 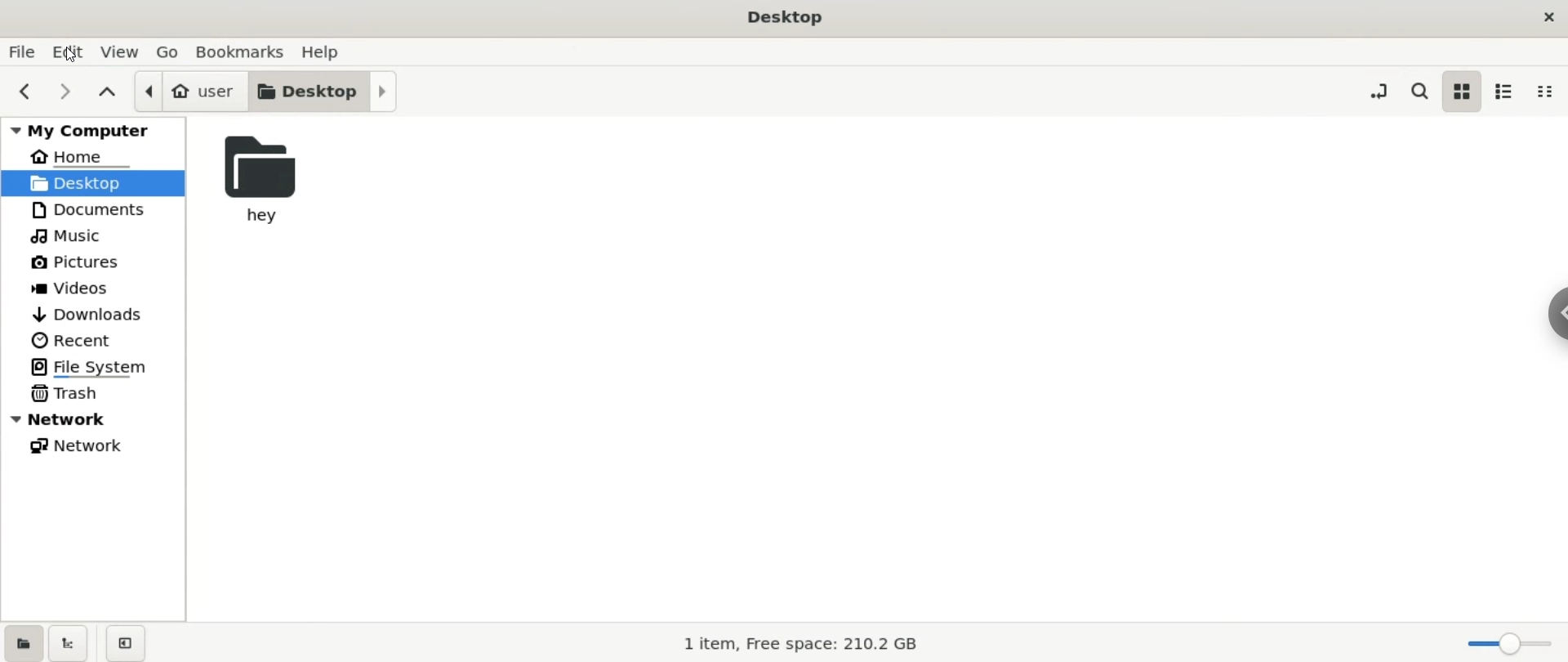 I want to click on downloads, so click(x=88, y=315).